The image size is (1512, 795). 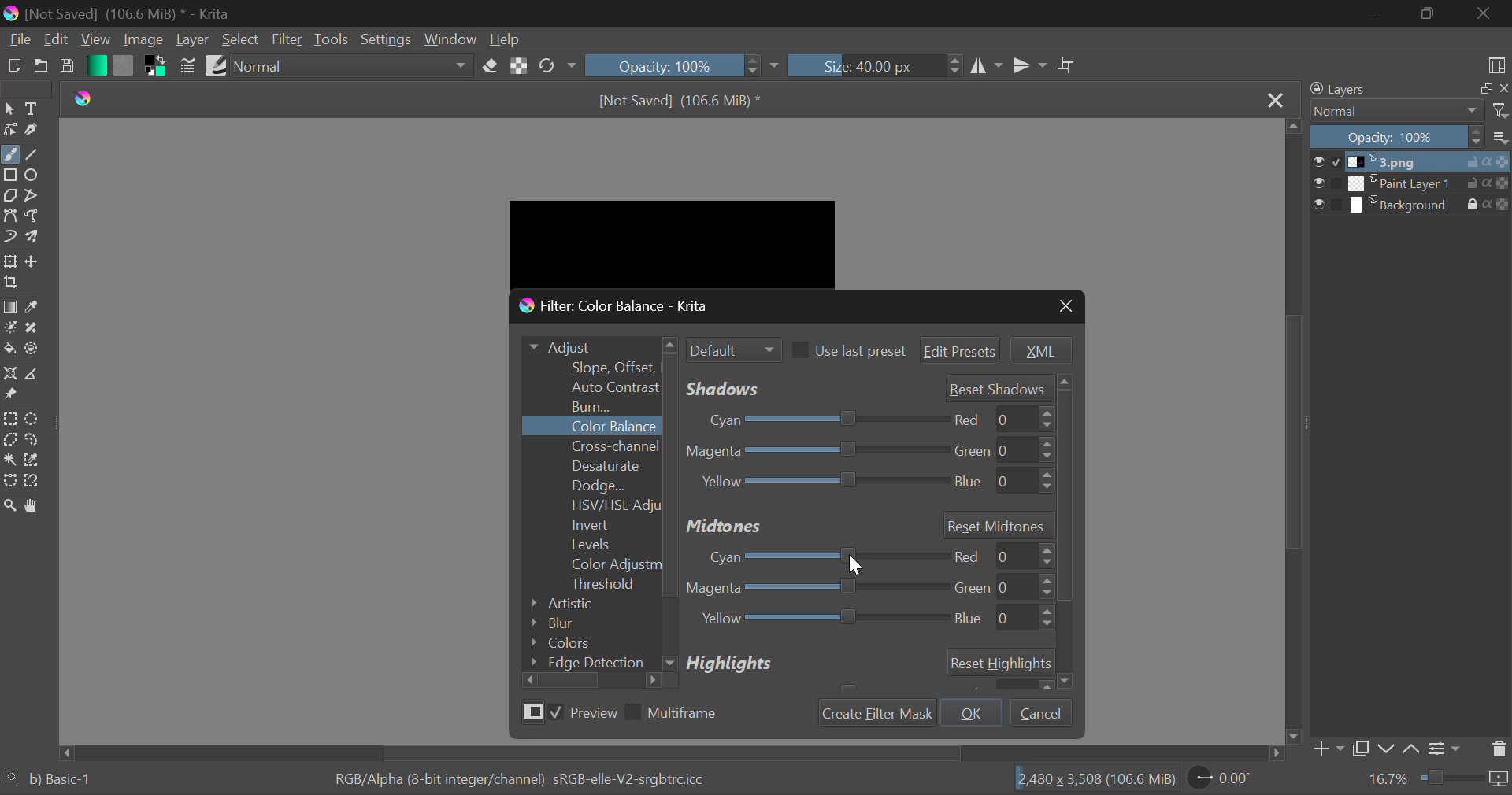 What do you see at coordinates (592, 505) in the screenshot?
I see `HSV/HSL Adjustment` at bounding box center [592, 505].